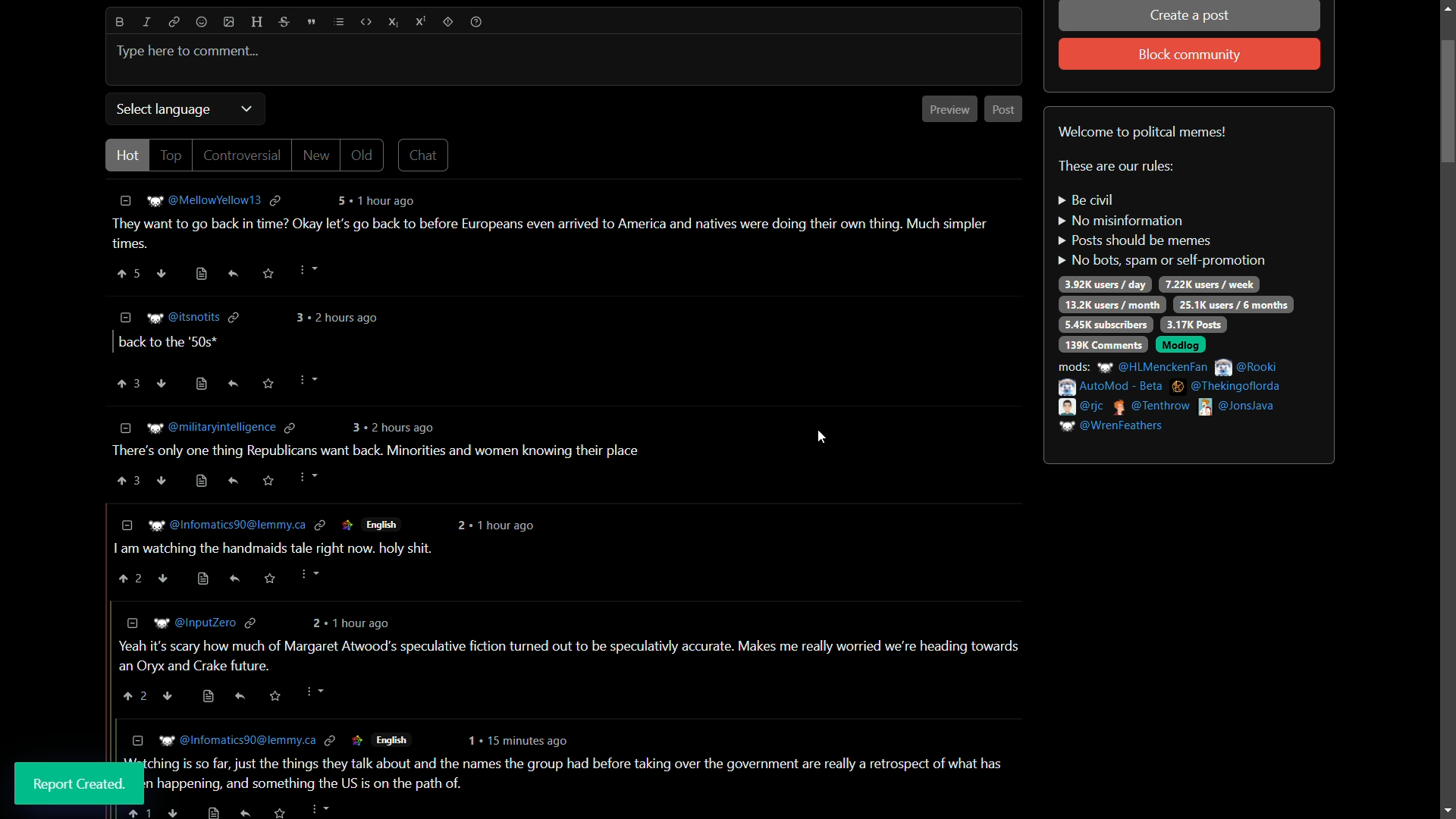 The image size is (1456, 819). Describe the element at coordinates (193, 318) in the screenshot. I see `username` at that location.